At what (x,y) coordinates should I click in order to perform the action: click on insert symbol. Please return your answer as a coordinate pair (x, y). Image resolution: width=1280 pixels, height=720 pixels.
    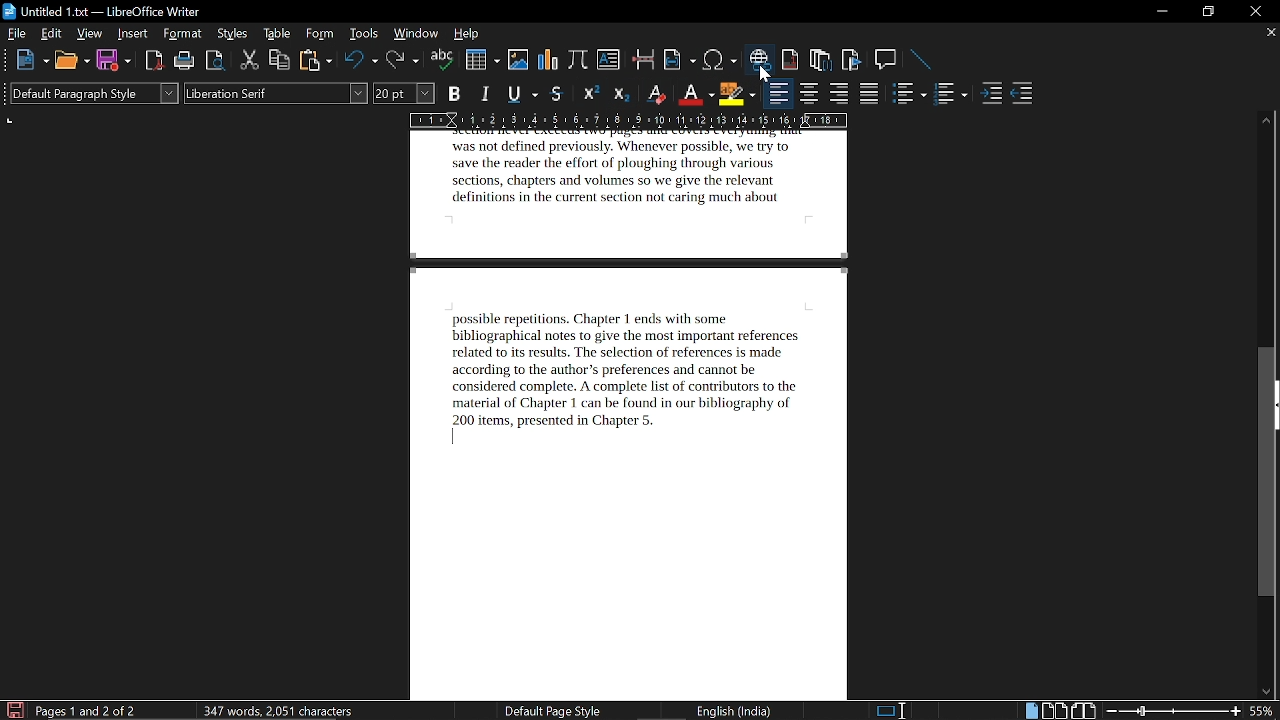
    Looking at the image, I should click on (719, 61).